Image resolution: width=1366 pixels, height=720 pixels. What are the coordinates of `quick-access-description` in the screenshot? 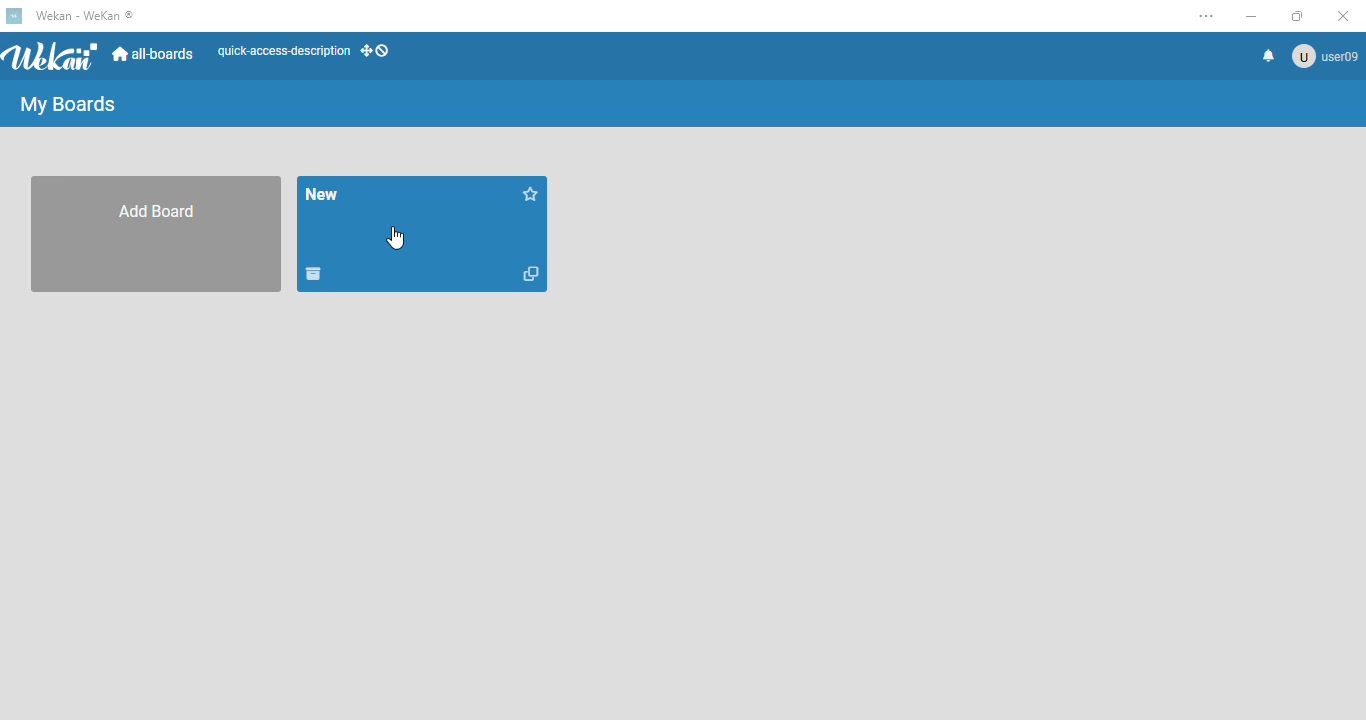 It's located at (283, 51).